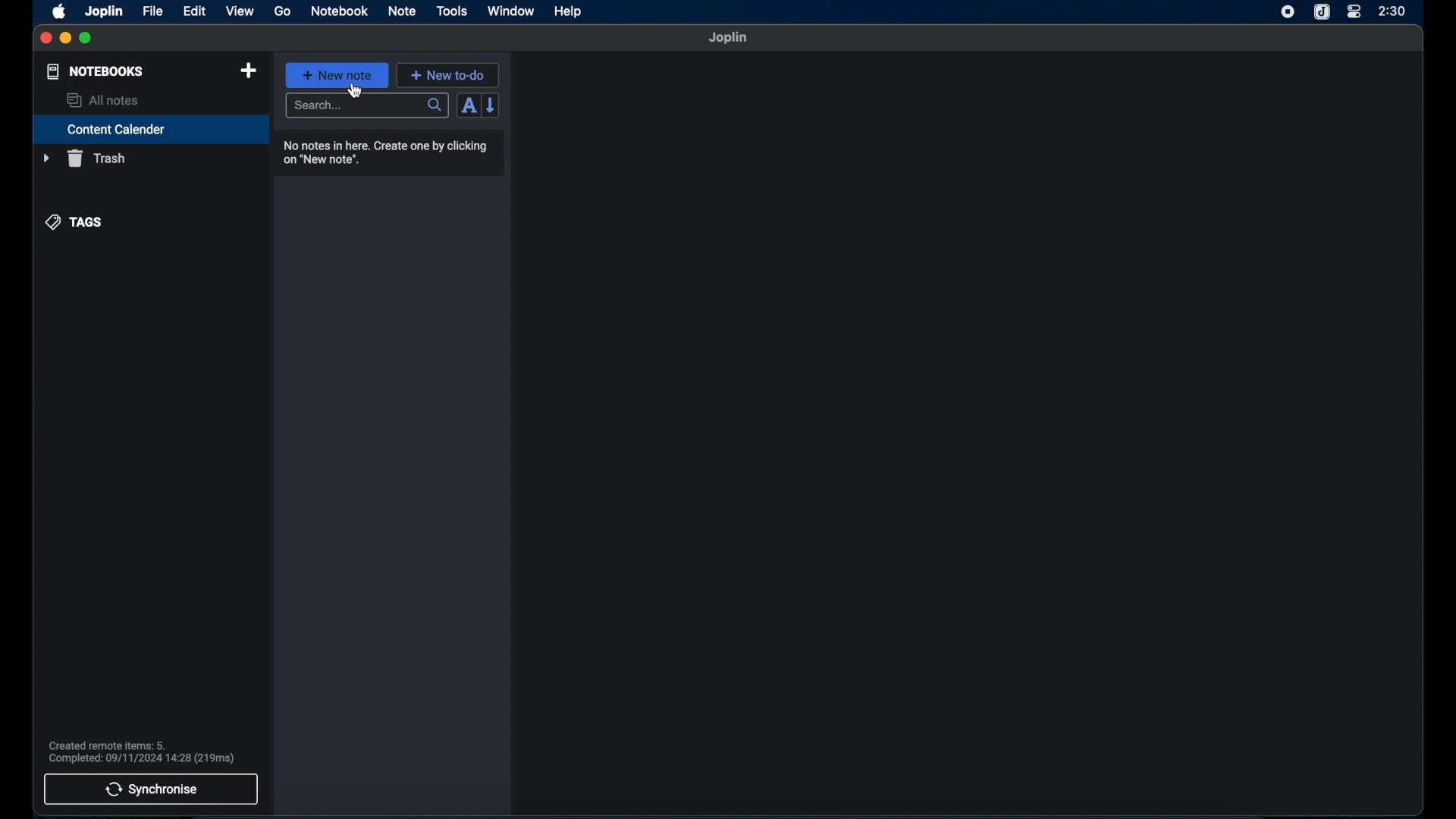 Image resolution: width=1456 pixels, height=819 pixels. Describe the element at coordinates (447, 75) in the screenshot. I see `new to-do` at that location.